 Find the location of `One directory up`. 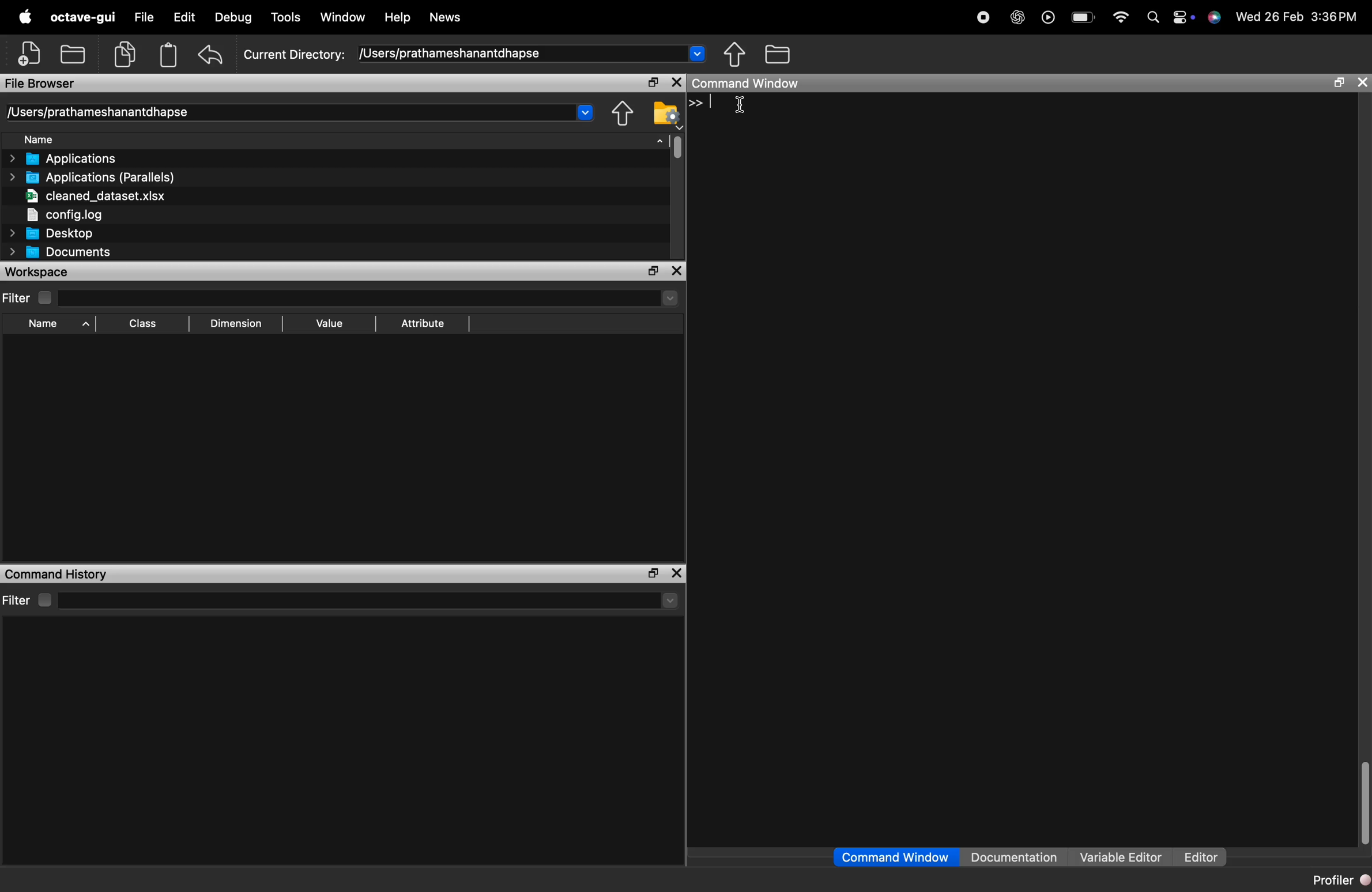

One directory up is located at coordinates (777, 55).